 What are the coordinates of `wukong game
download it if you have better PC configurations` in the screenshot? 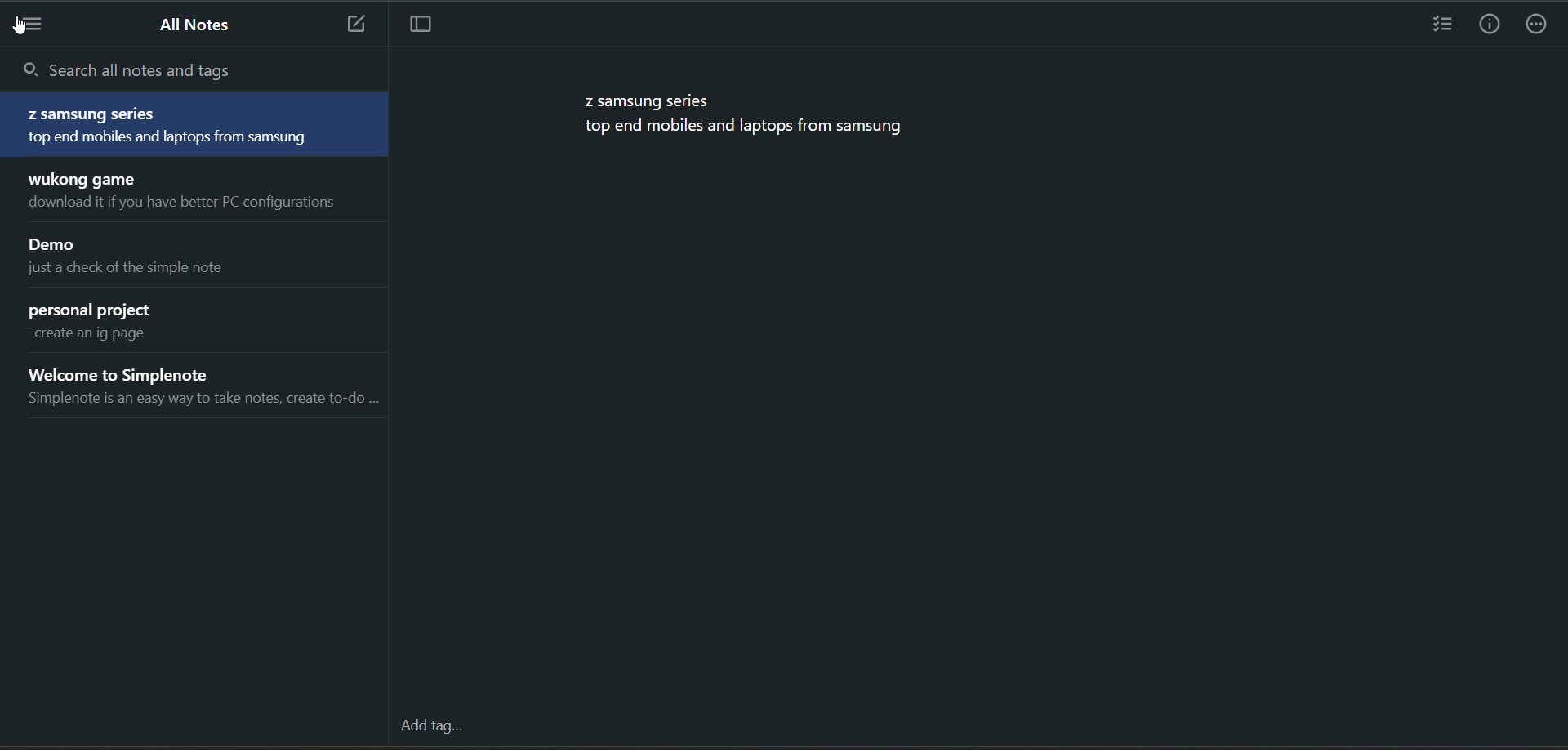 It's located at (200, 192).